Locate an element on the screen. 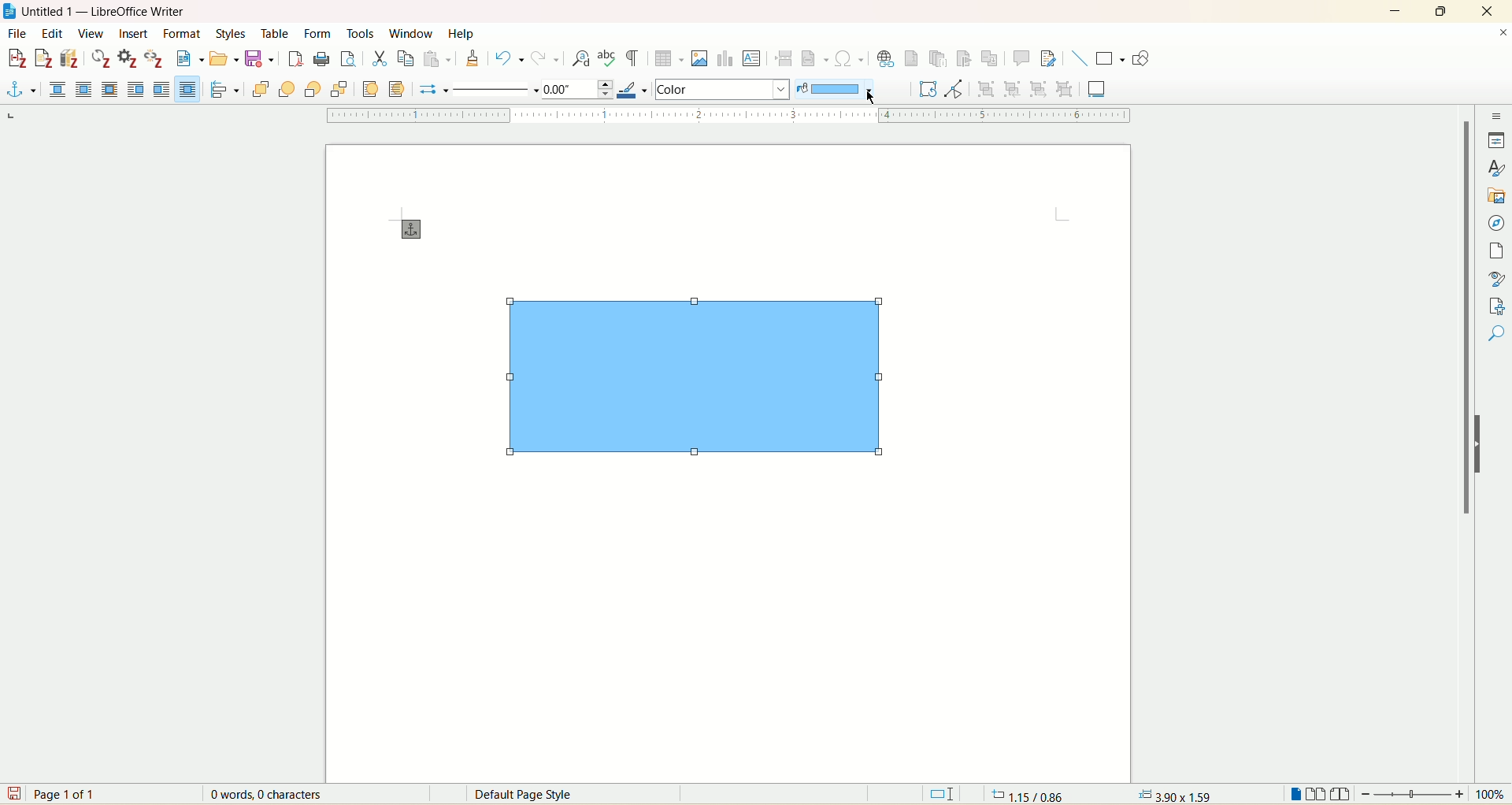 The image size is (1512, 805). accessibility check is located at coordinates (1495, 334).